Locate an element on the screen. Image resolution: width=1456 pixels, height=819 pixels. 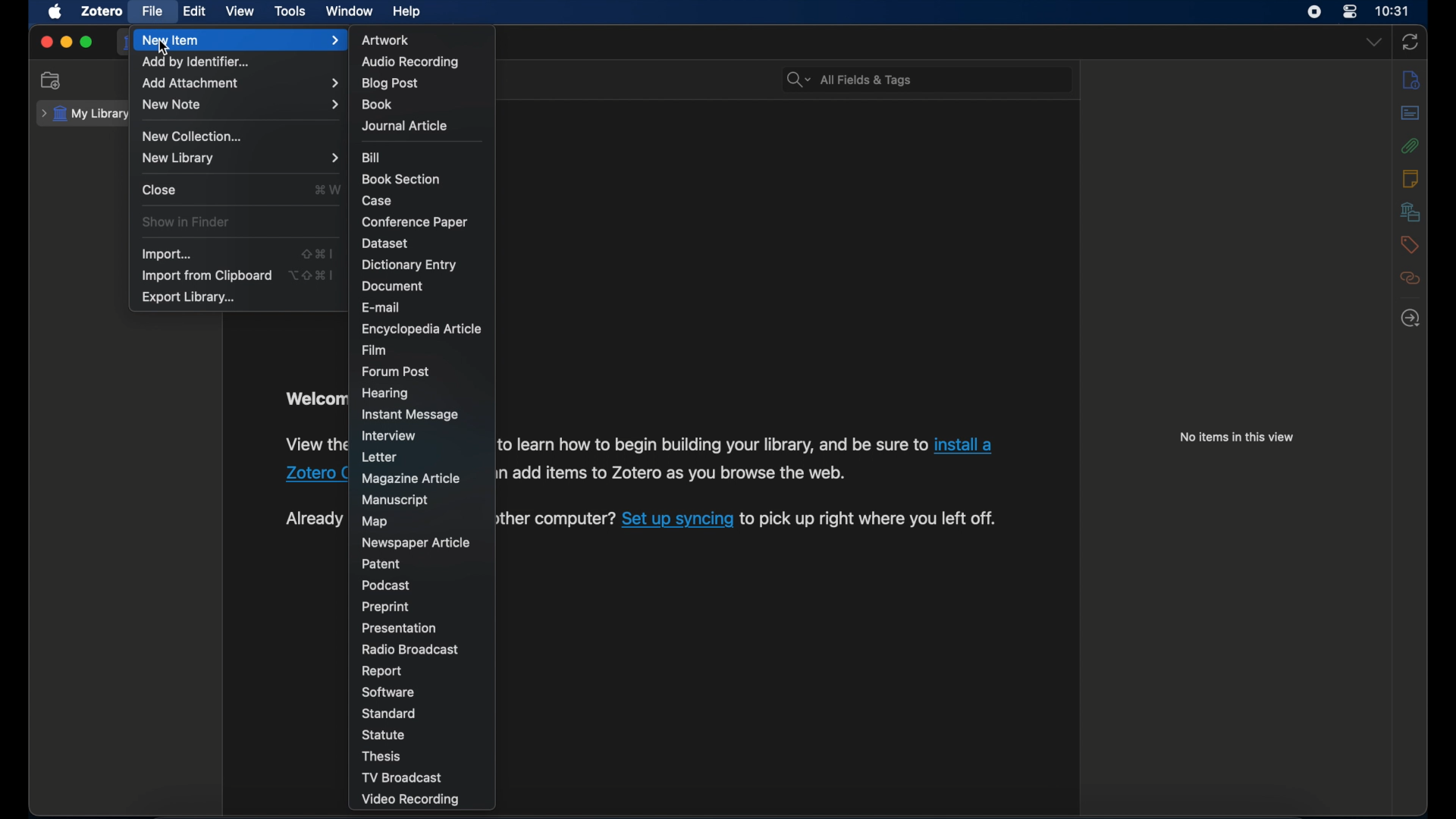
locate is located at coordinates (1410, 317).